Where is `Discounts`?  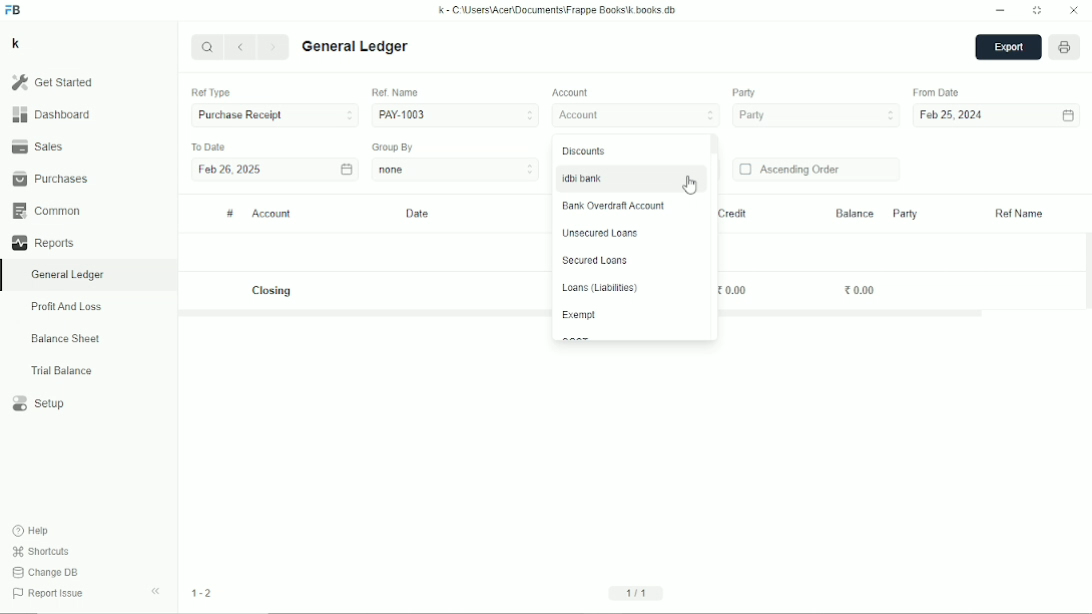 Discounts is located at coordinates (584, 151).